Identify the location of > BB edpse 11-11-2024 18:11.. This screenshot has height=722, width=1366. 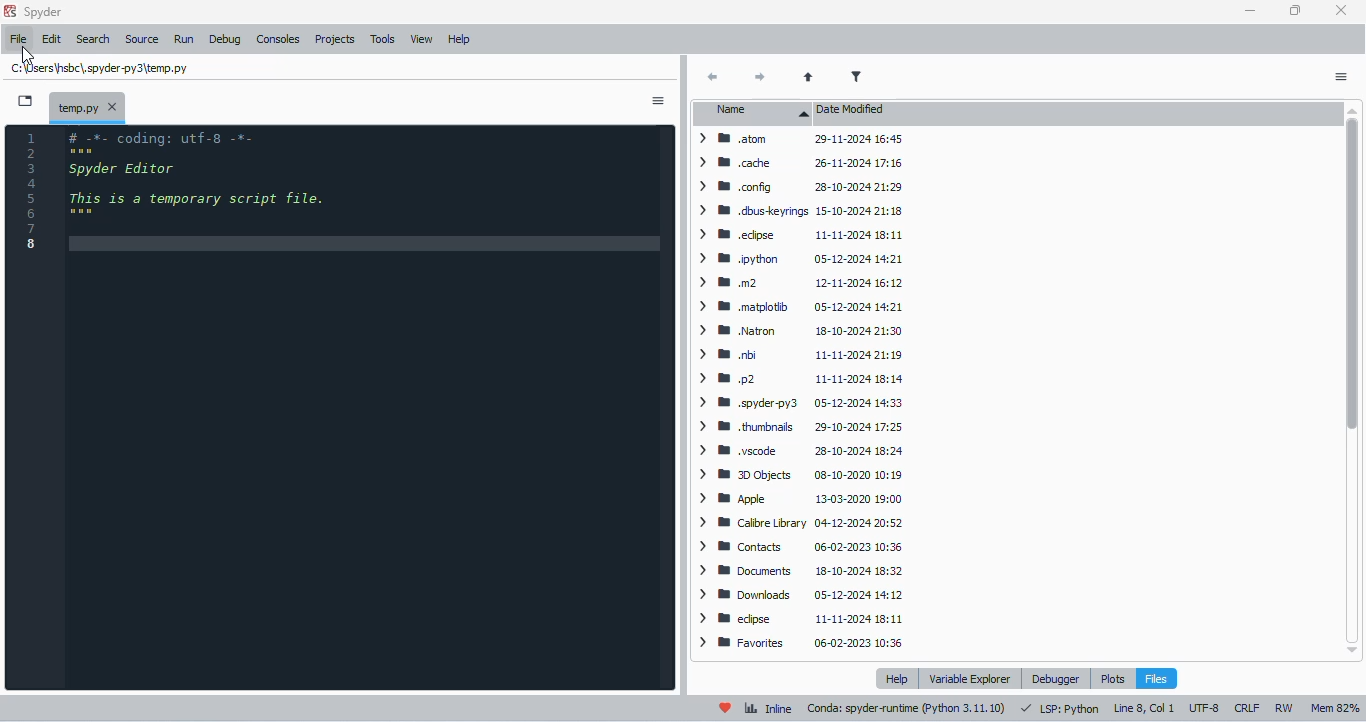
(801, 620).